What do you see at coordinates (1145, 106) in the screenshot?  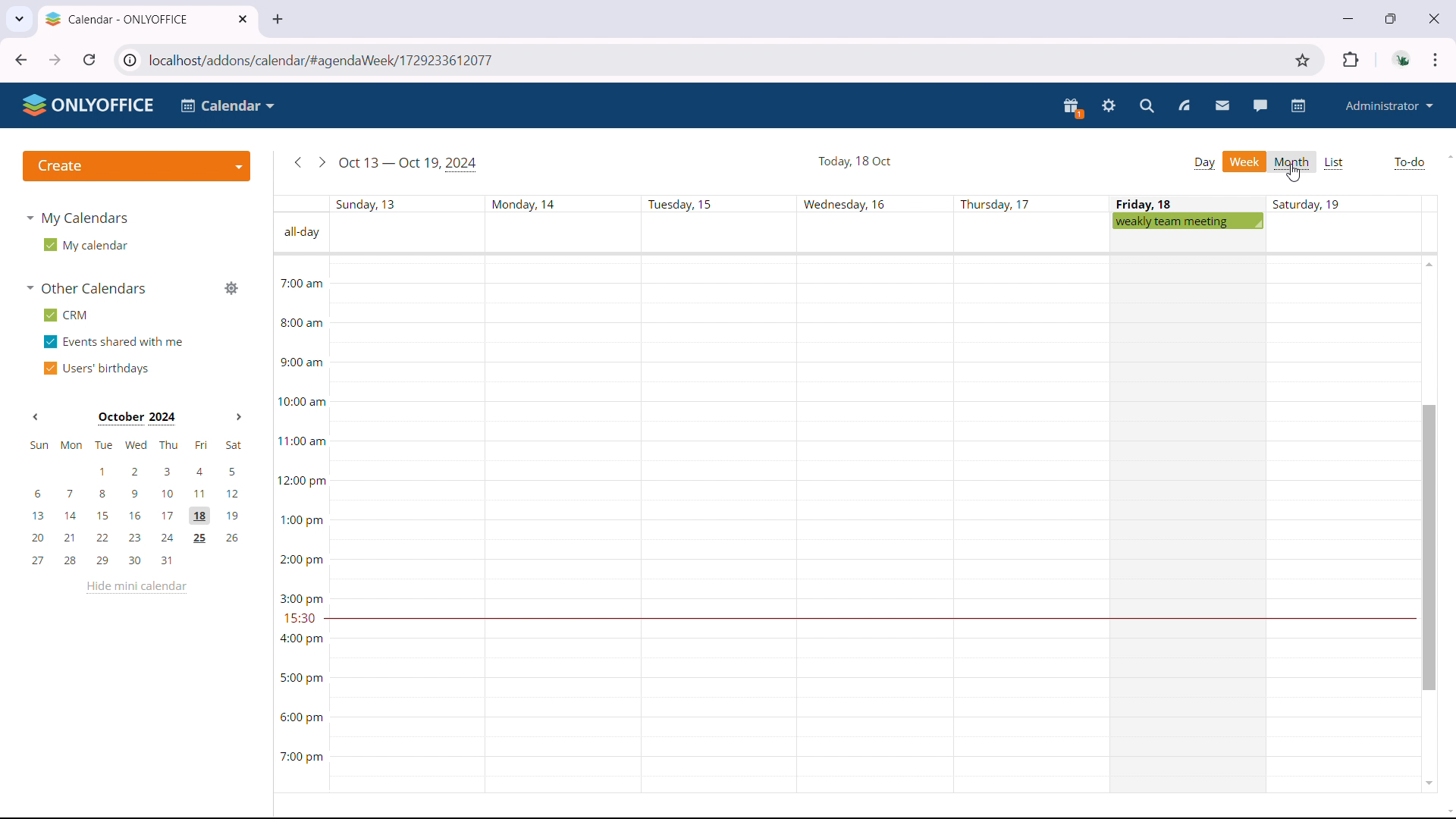 I see `search` at bounding box center [1145, 106].